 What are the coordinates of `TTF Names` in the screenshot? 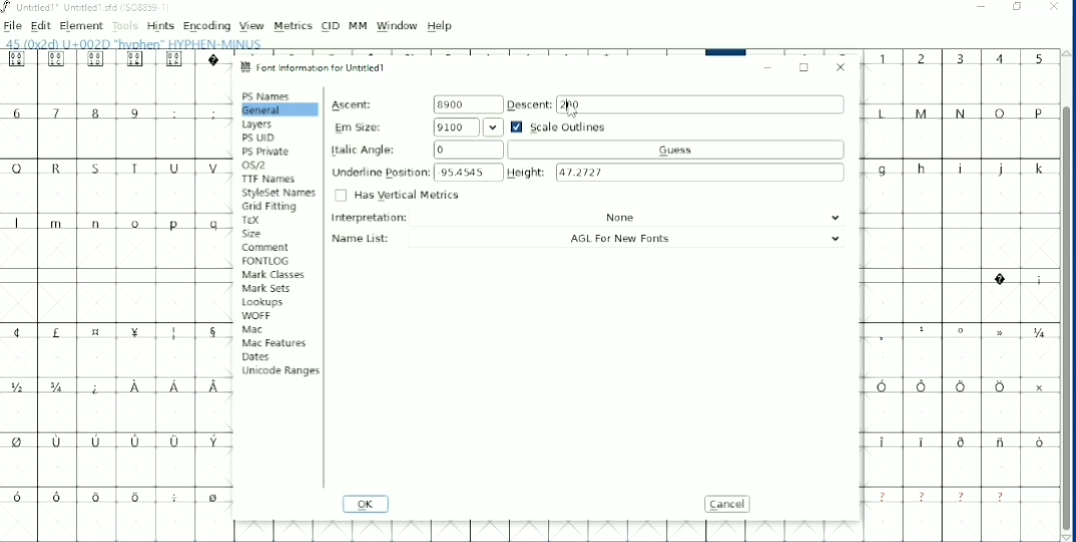 It's located at (269, 179).